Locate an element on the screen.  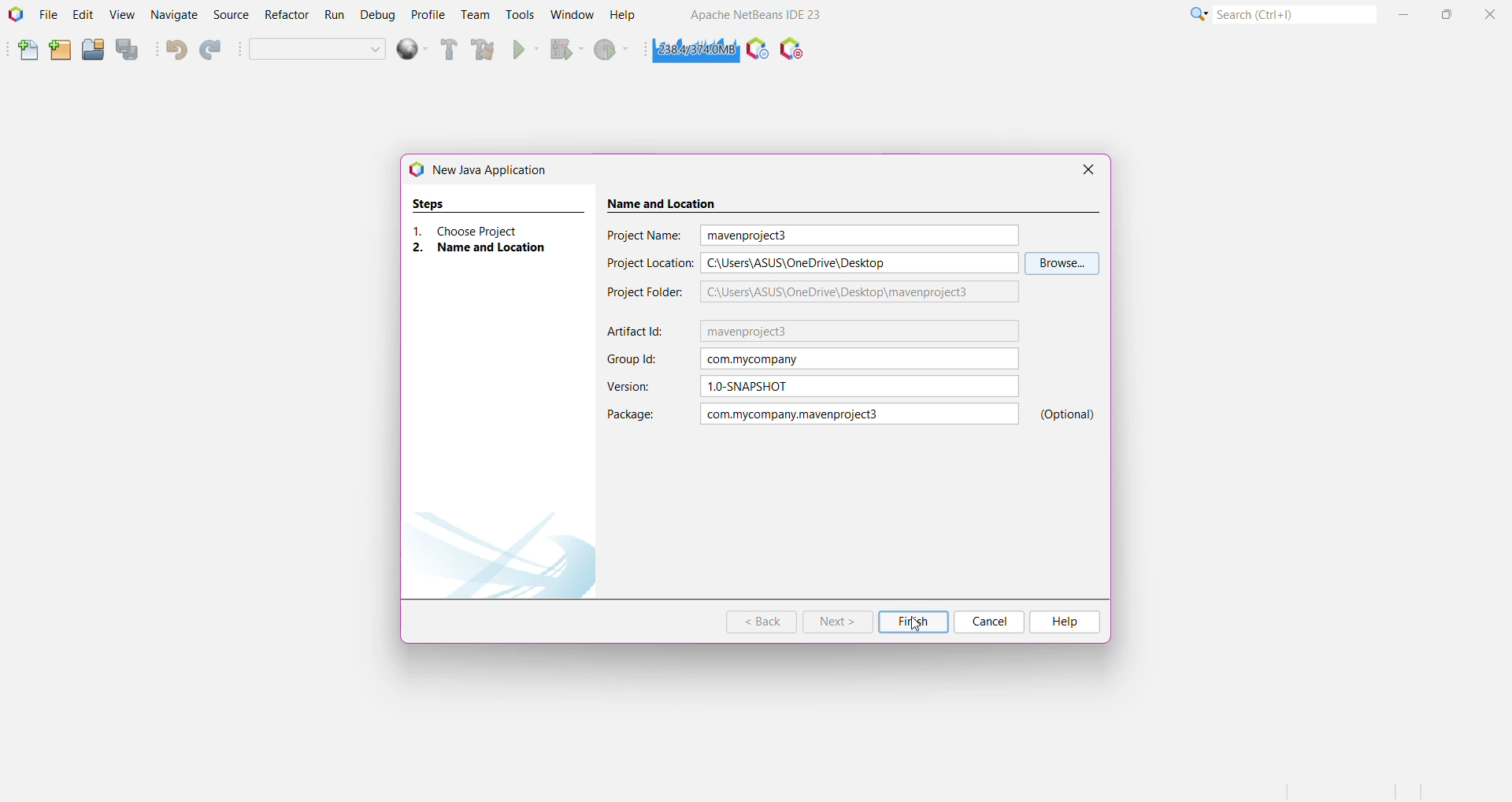
Close is located at coordinates (1489, 16).